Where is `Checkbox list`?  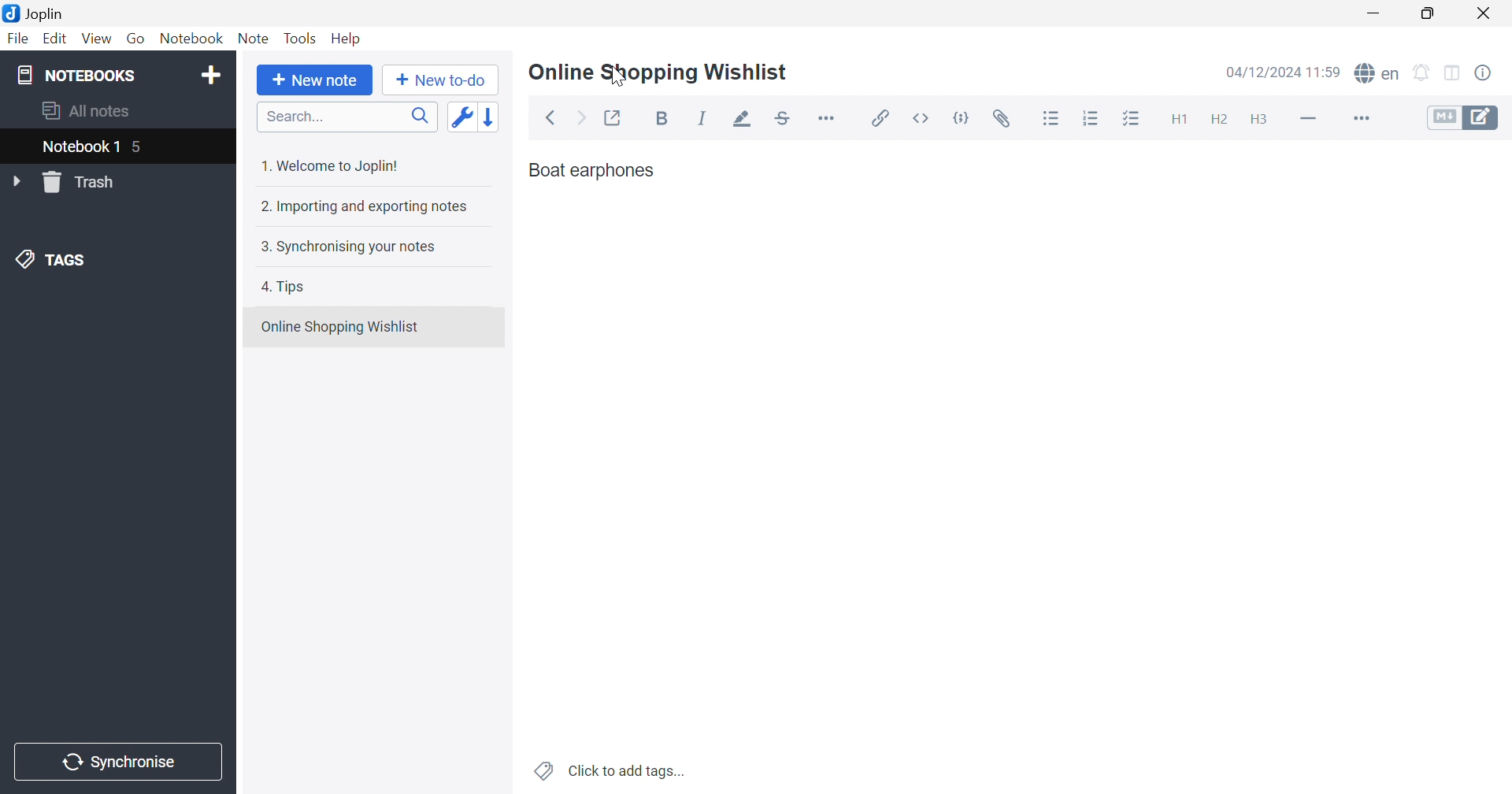 Checkbox list is located at coordinates (1136, 118).